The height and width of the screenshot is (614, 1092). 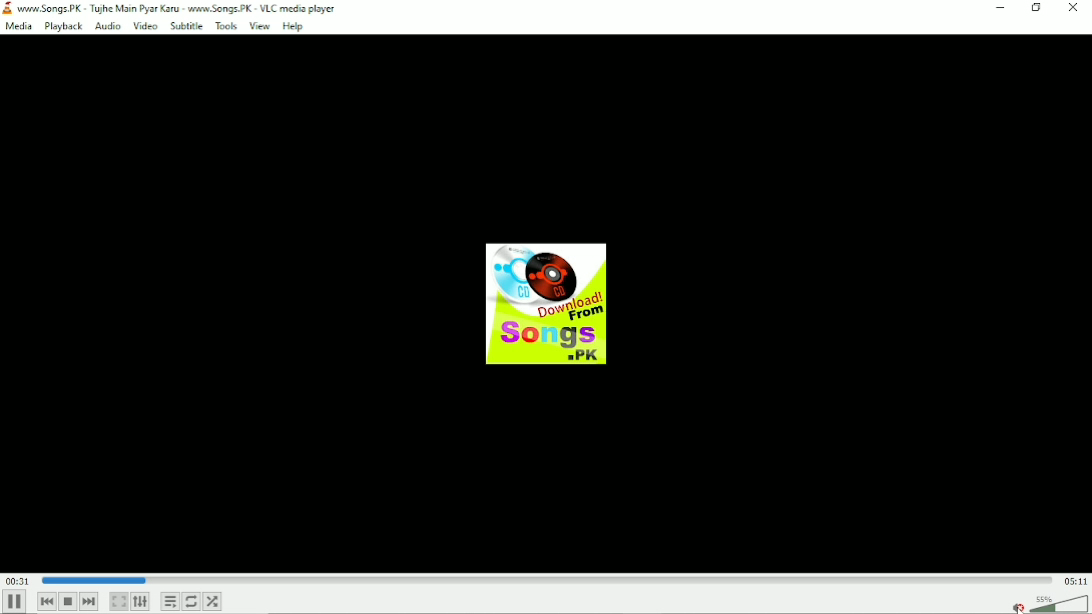 I want to click on Play duration, so click(x=546, y=579).